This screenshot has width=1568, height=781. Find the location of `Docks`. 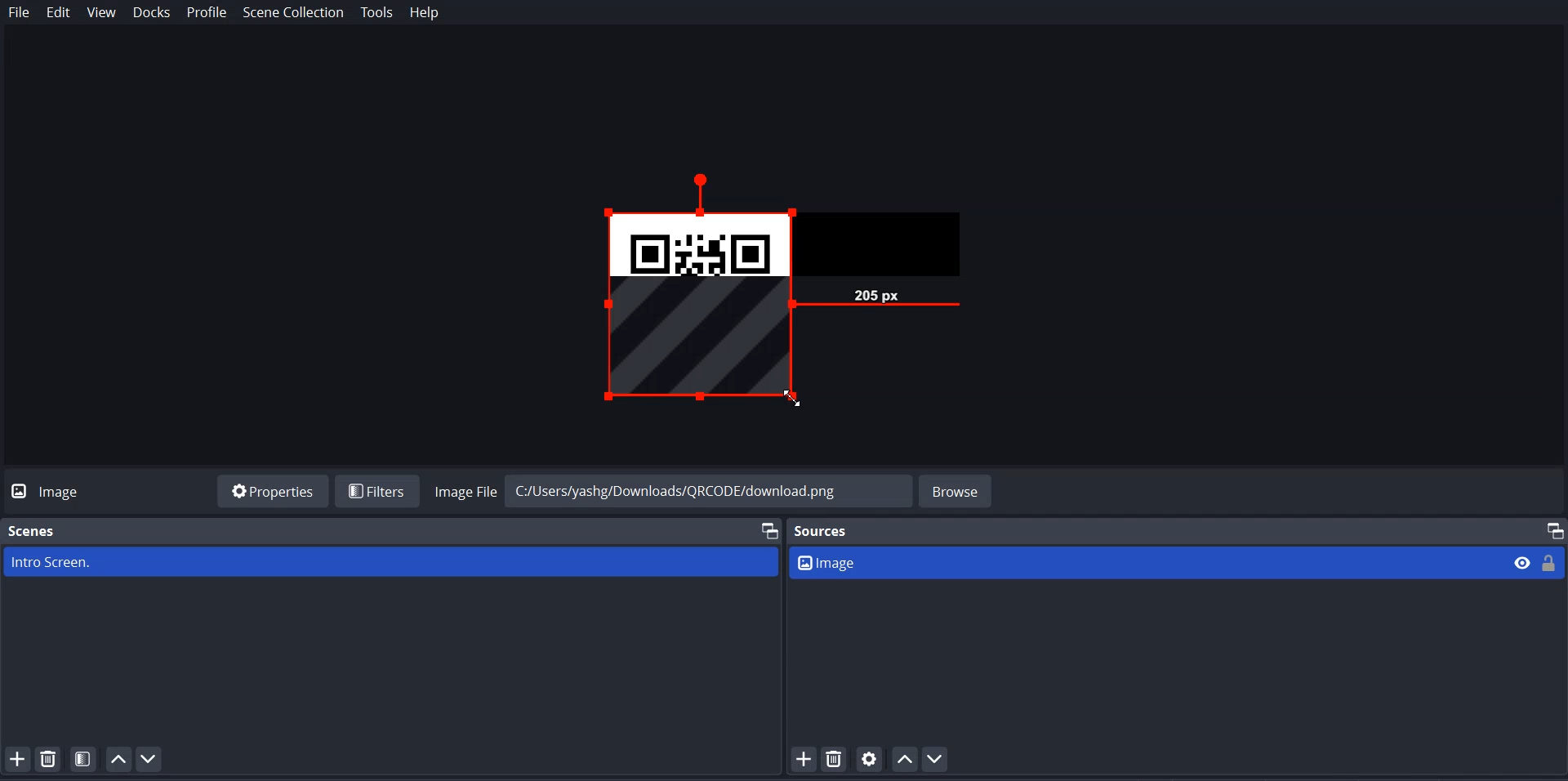

Docks is located at coordinates (153, 14).